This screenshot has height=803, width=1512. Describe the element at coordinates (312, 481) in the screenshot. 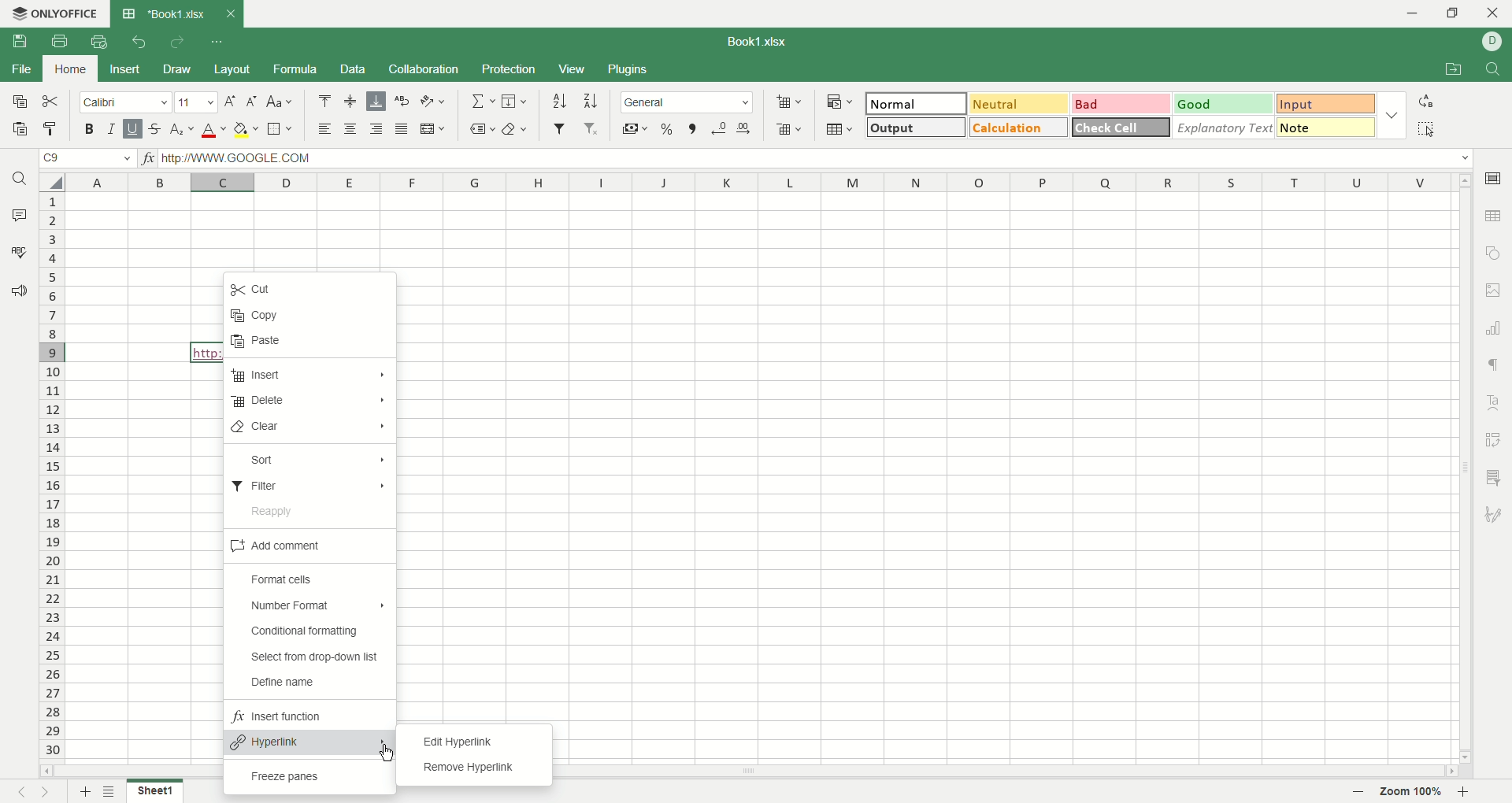

I see `filter` at that location.